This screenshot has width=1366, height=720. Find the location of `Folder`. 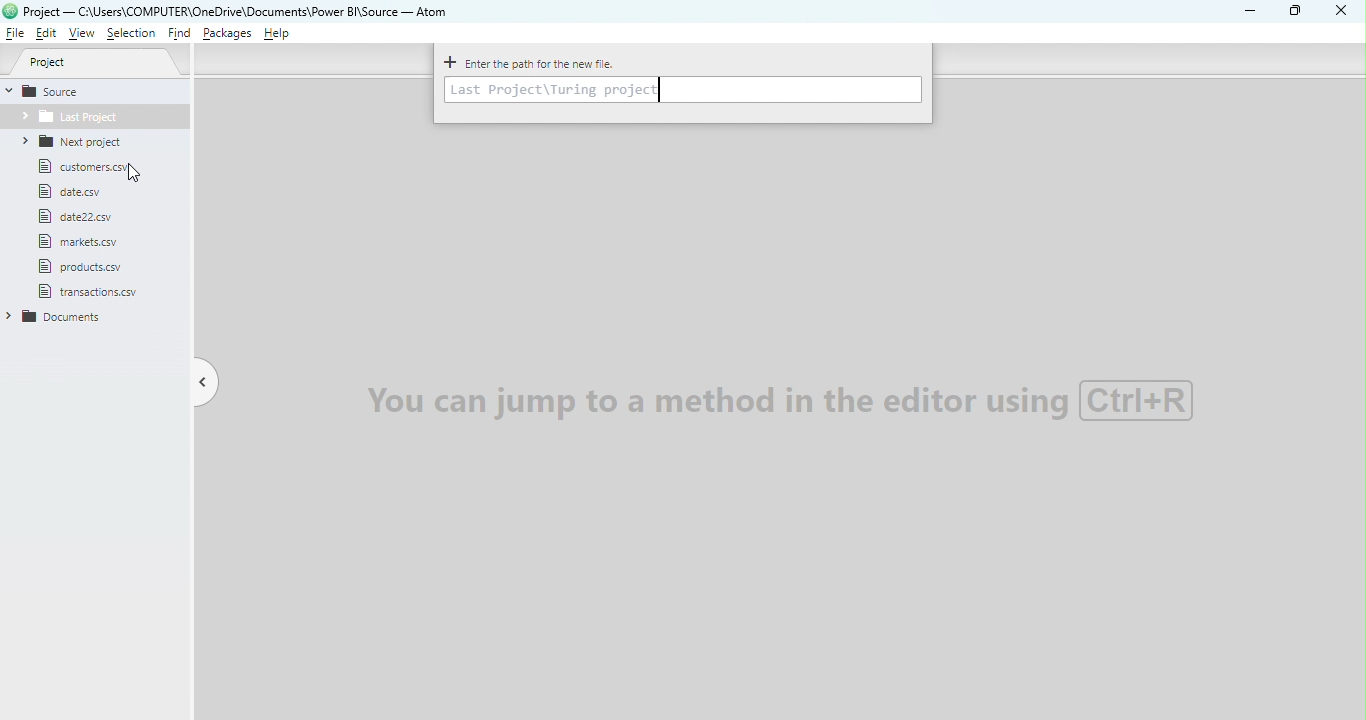

Folder is located at coordinates (81, 142).